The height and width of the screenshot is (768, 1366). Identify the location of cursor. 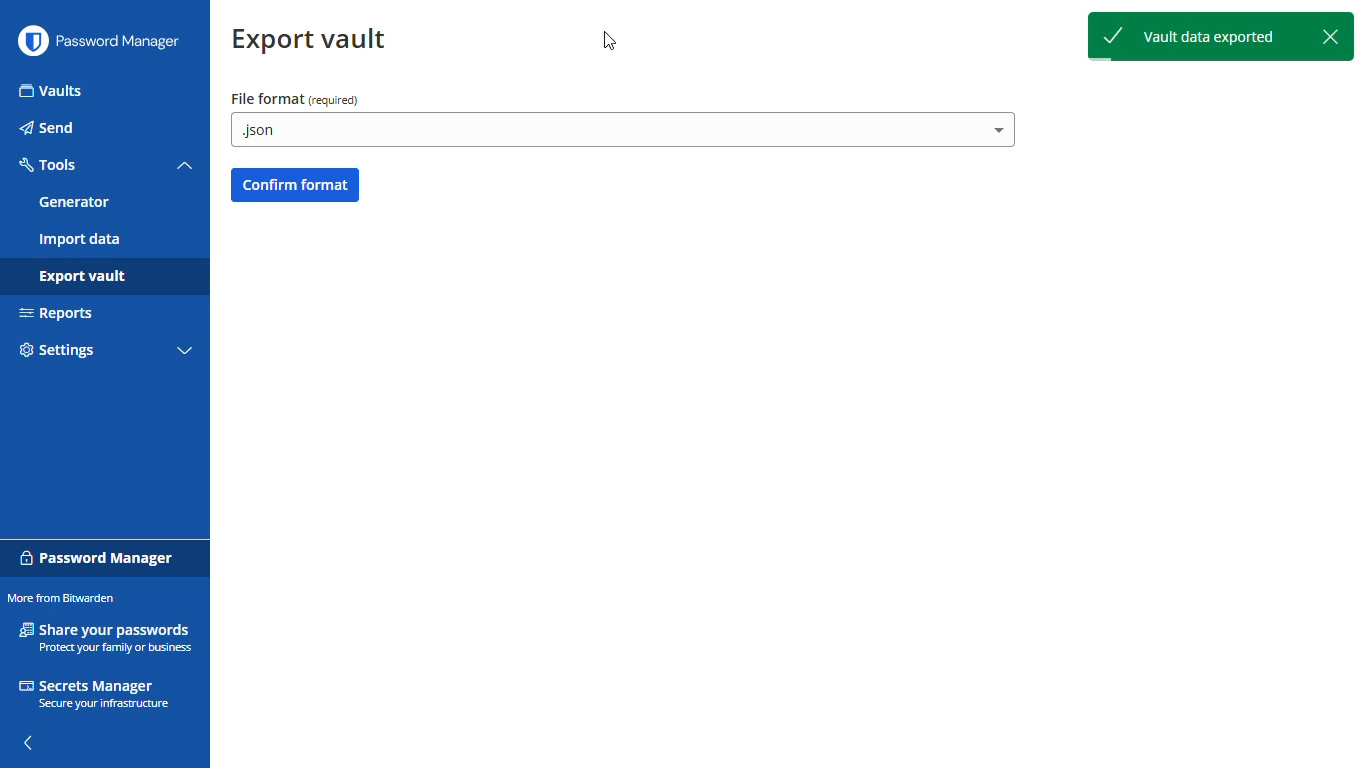
(611, 44).